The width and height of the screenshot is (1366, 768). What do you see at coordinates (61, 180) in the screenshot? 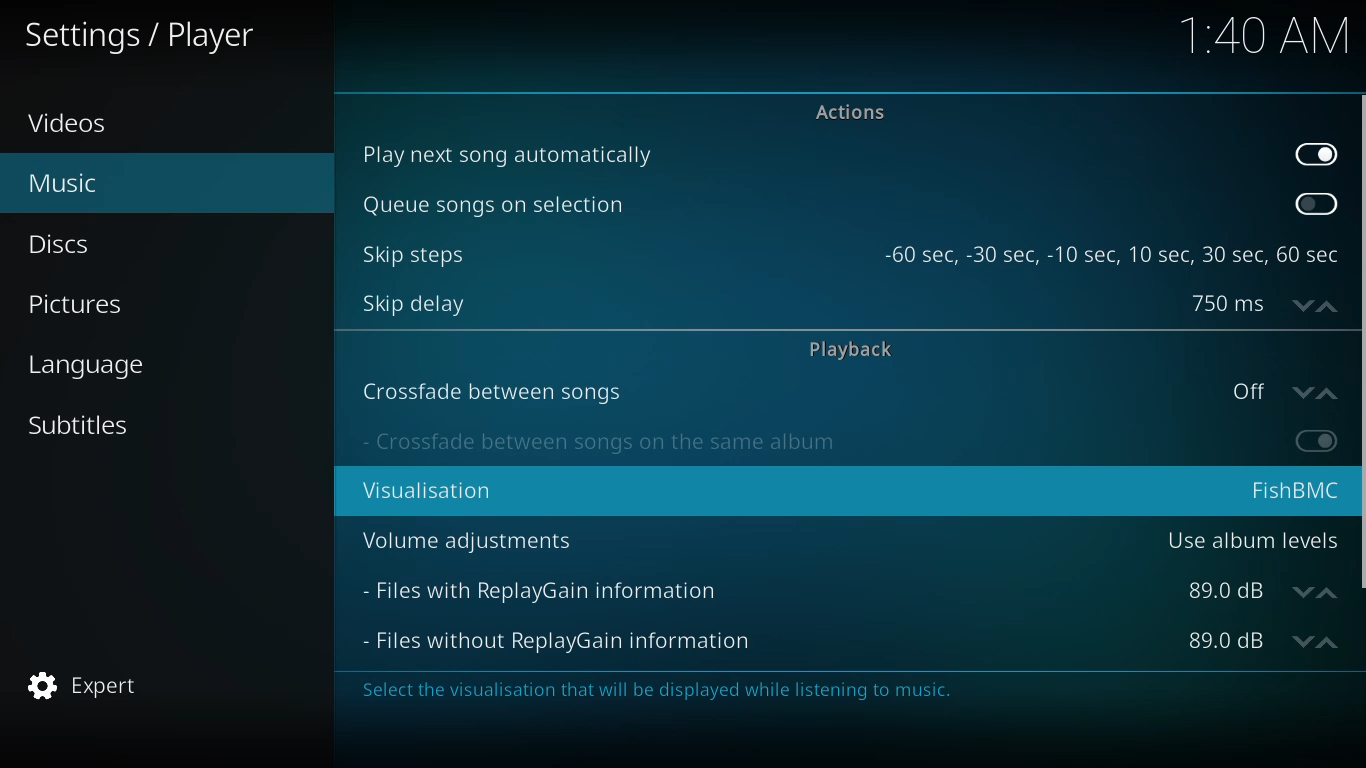
I see `music` at bounding box center [61, 180].